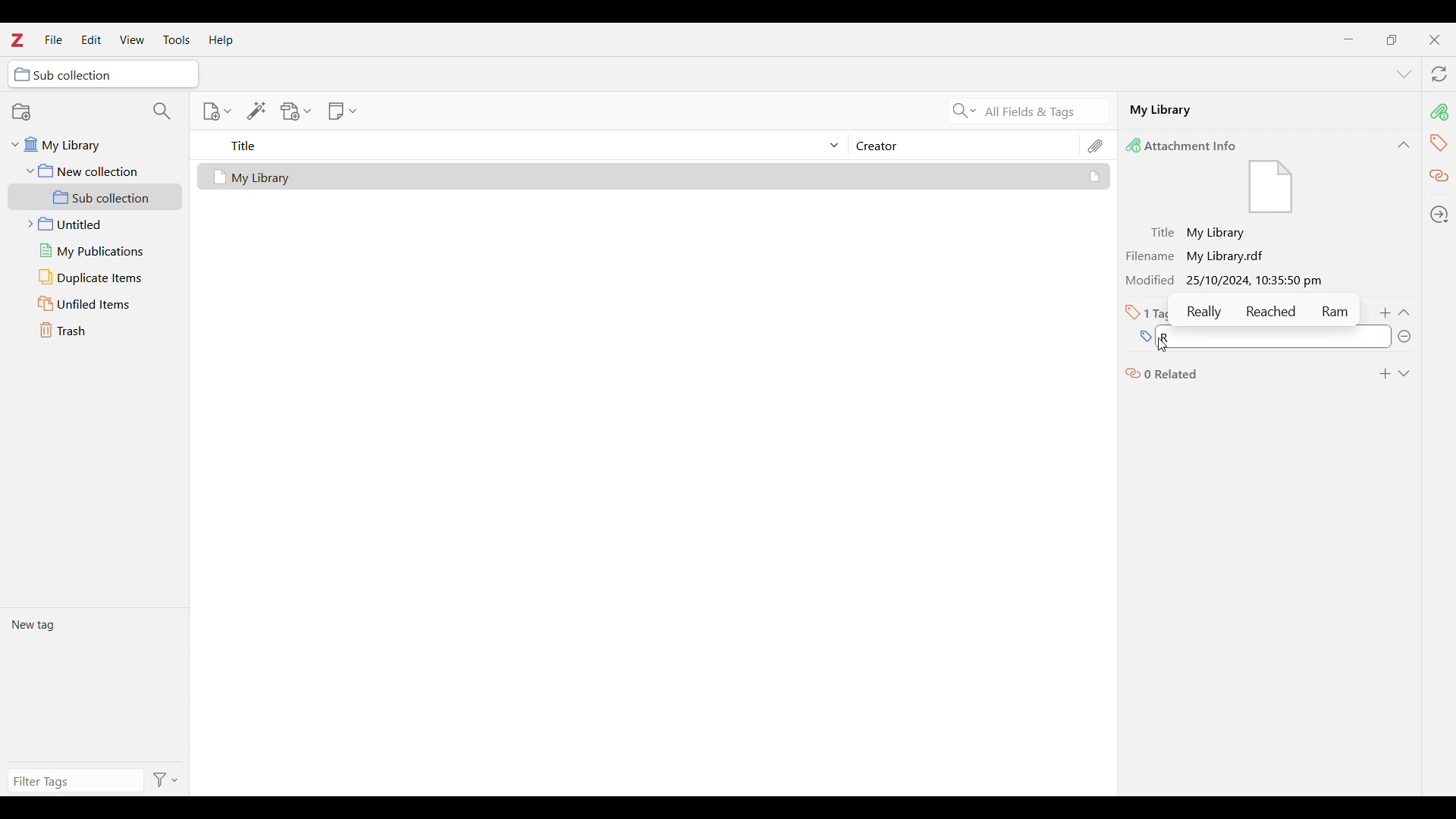 This screenshot has height=819, width=1456. I want to click on Add item/s by identifier, so click(257, 111).